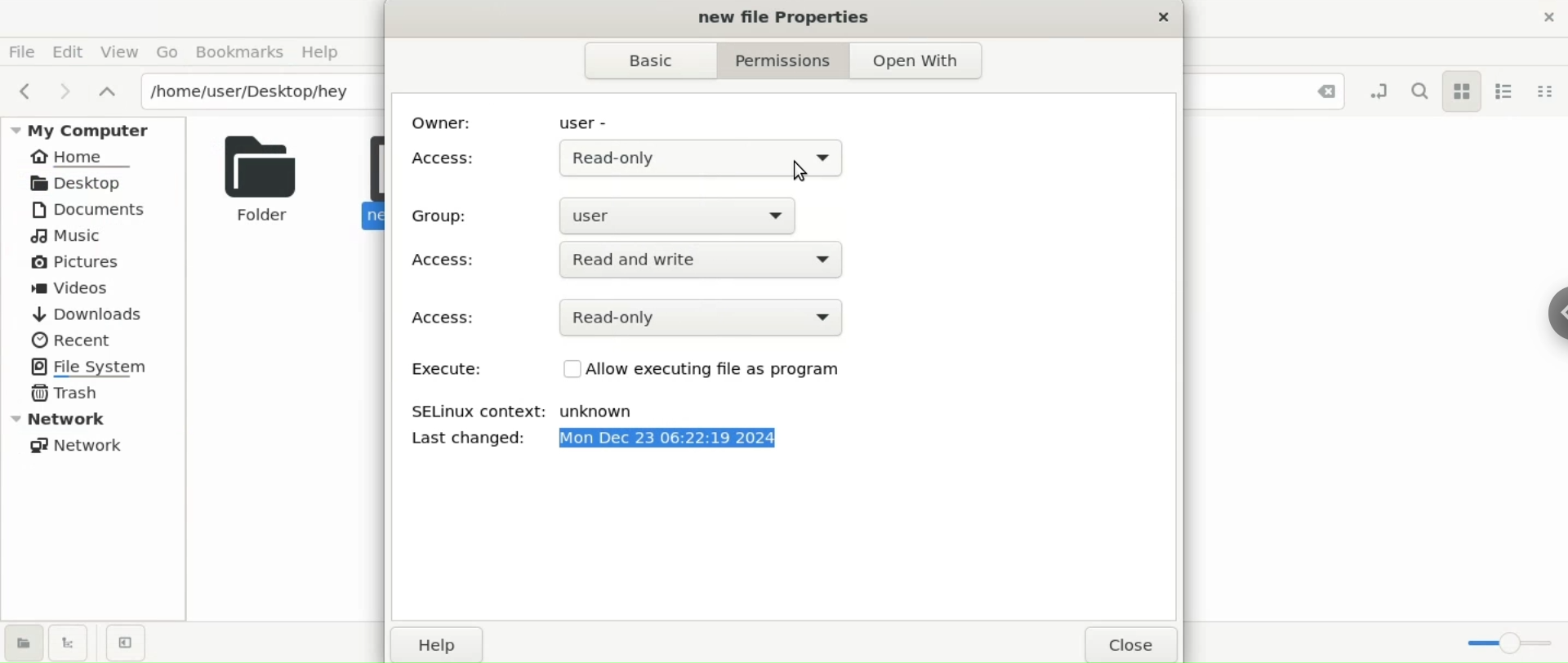 Image resolution: width=1568 pixels, height=663 pixels. What do you see at coordinates (676, 443) in the screenshot?
I see `Last changed: Mon Dec 23 06:22:19 2024` at bounding box center [676, 443].